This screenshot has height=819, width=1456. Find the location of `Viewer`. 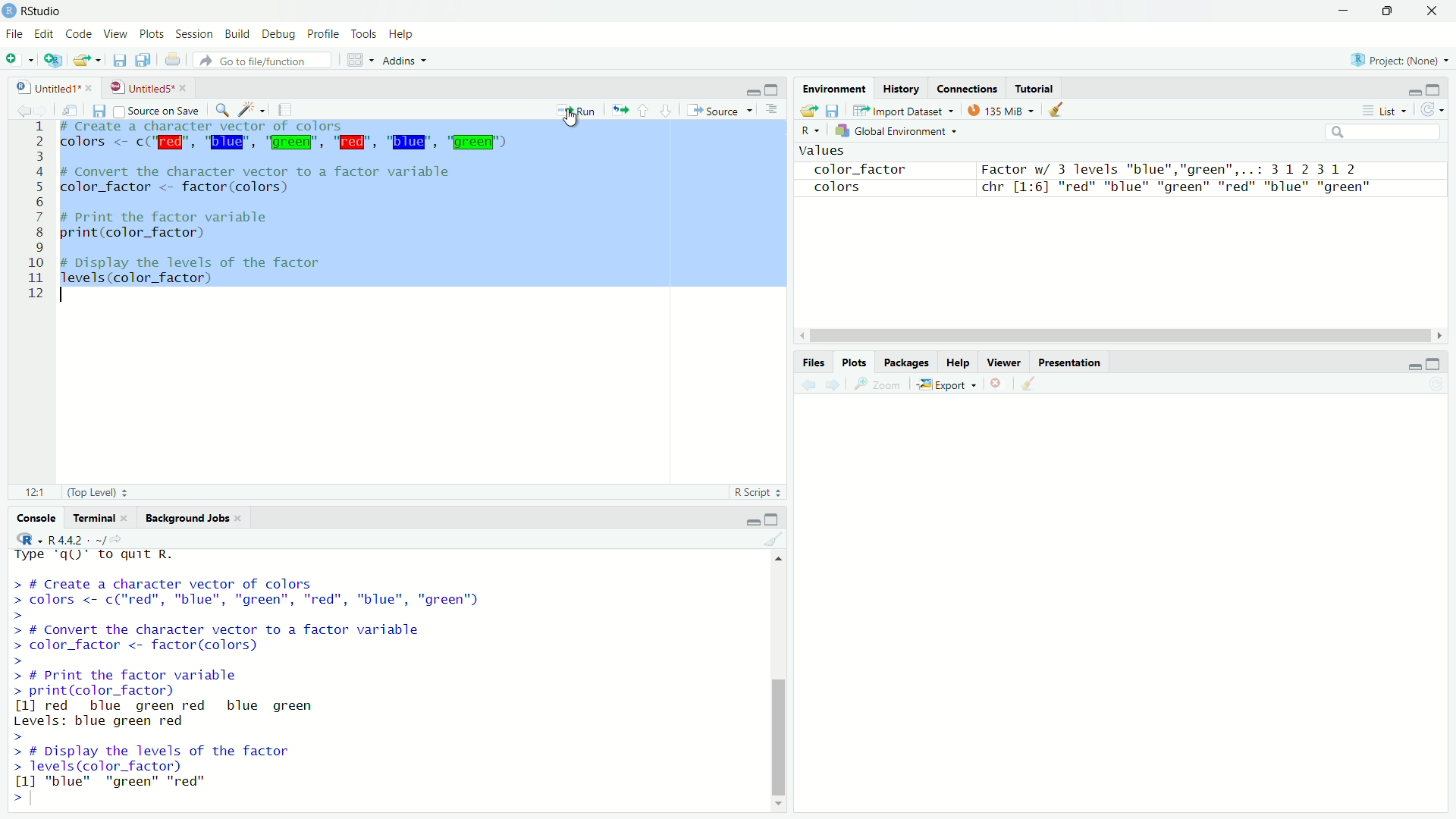

Viewer is located at coordinates (1005, 362).